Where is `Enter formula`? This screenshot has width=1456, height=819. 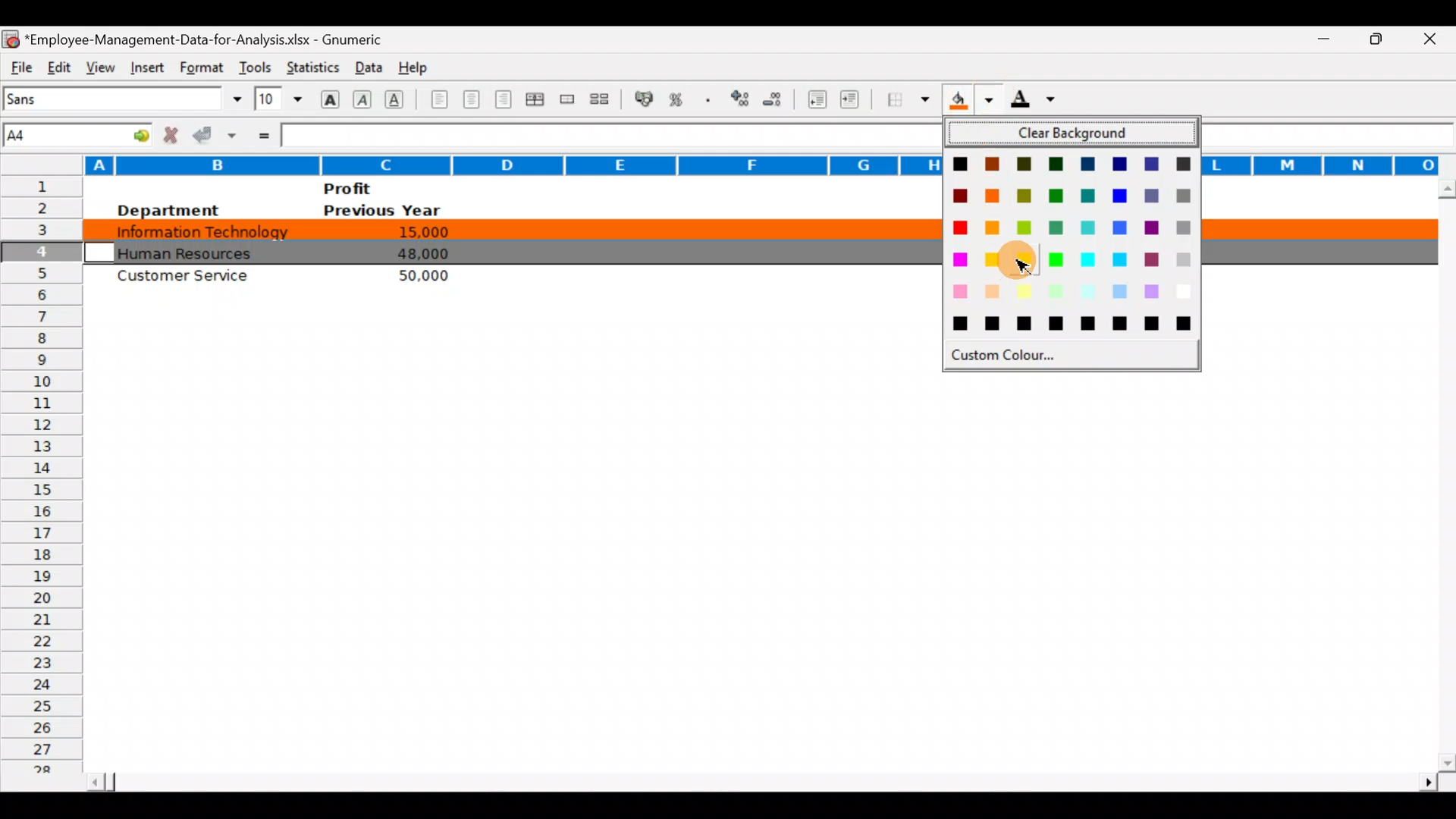 Enter formula is located at coordinates (262, 134).